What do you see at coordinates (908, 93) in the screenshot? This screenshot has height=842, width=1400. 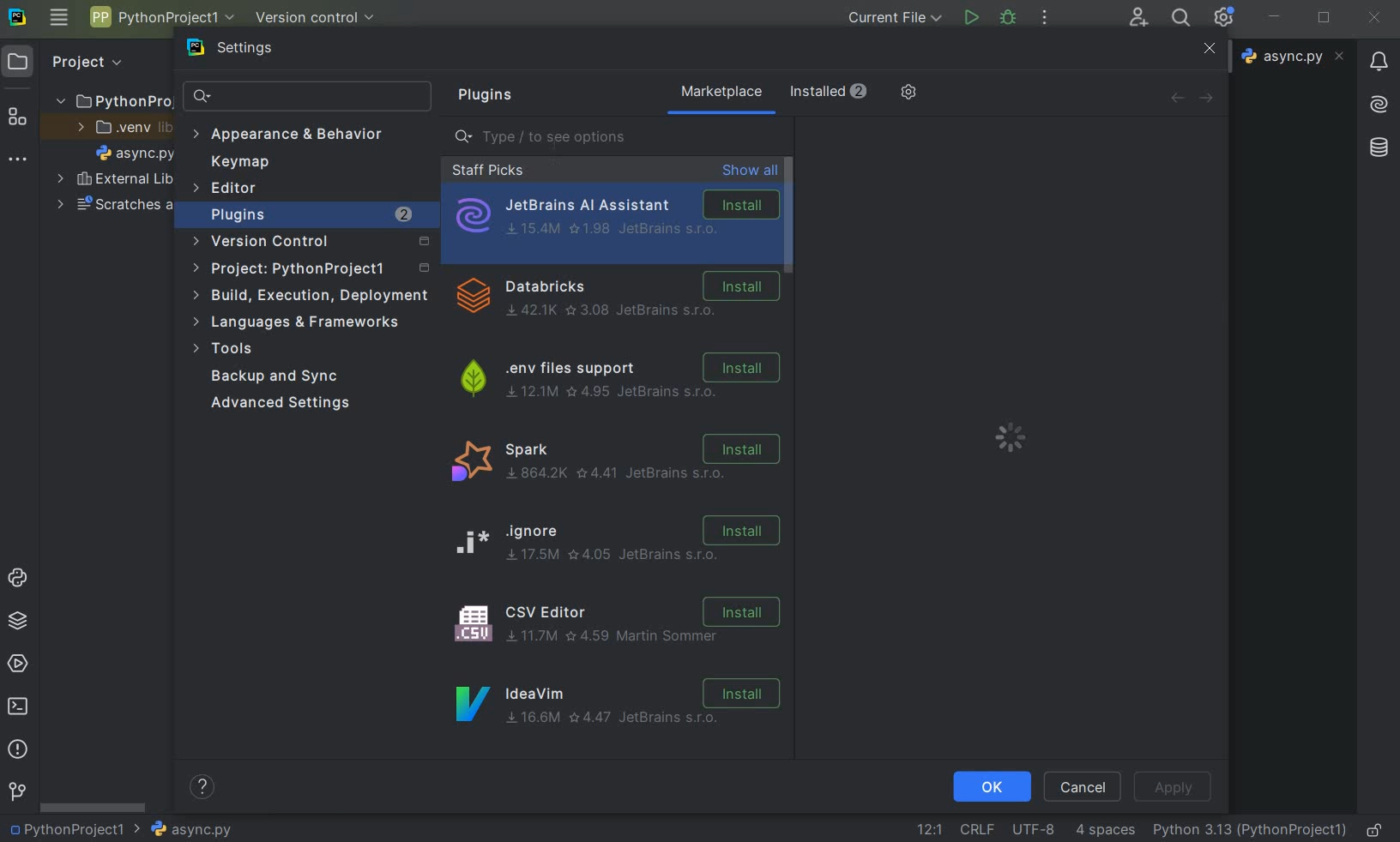 I see `manage repositories and more` at bounding box center [908, 93].